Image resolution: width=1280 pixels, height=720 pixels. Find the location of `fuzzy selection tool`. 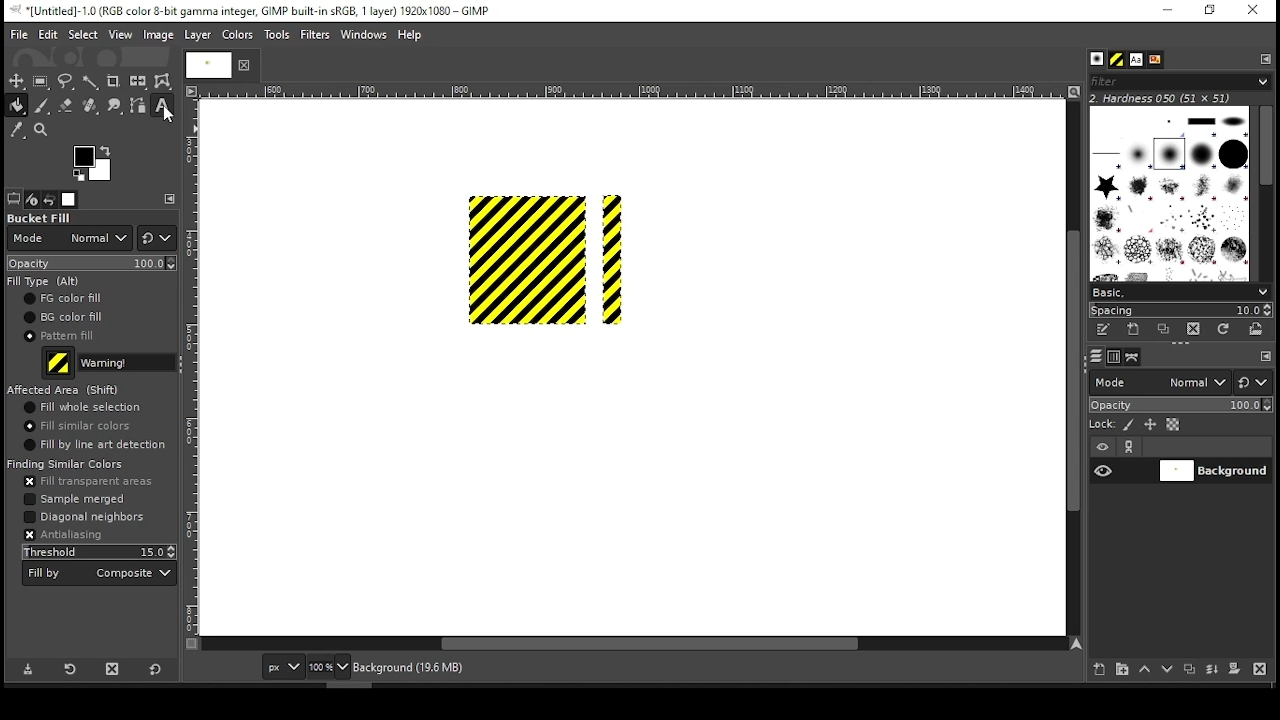

fuzzy selection tool is located at coordinates (91, 82).